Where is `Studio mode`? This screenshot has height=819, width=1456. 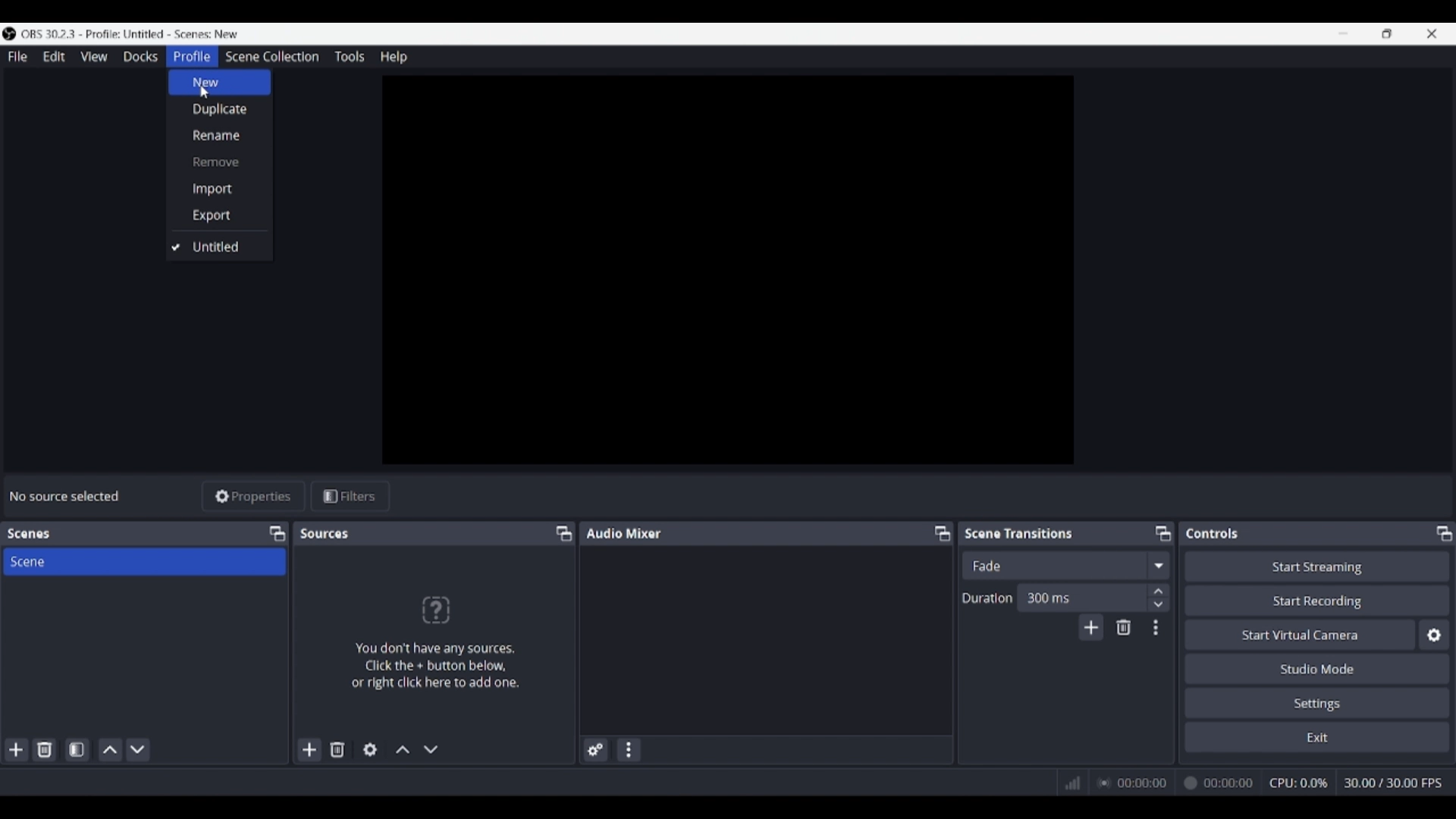 Studio mode is located at coordinates (1317, 668).